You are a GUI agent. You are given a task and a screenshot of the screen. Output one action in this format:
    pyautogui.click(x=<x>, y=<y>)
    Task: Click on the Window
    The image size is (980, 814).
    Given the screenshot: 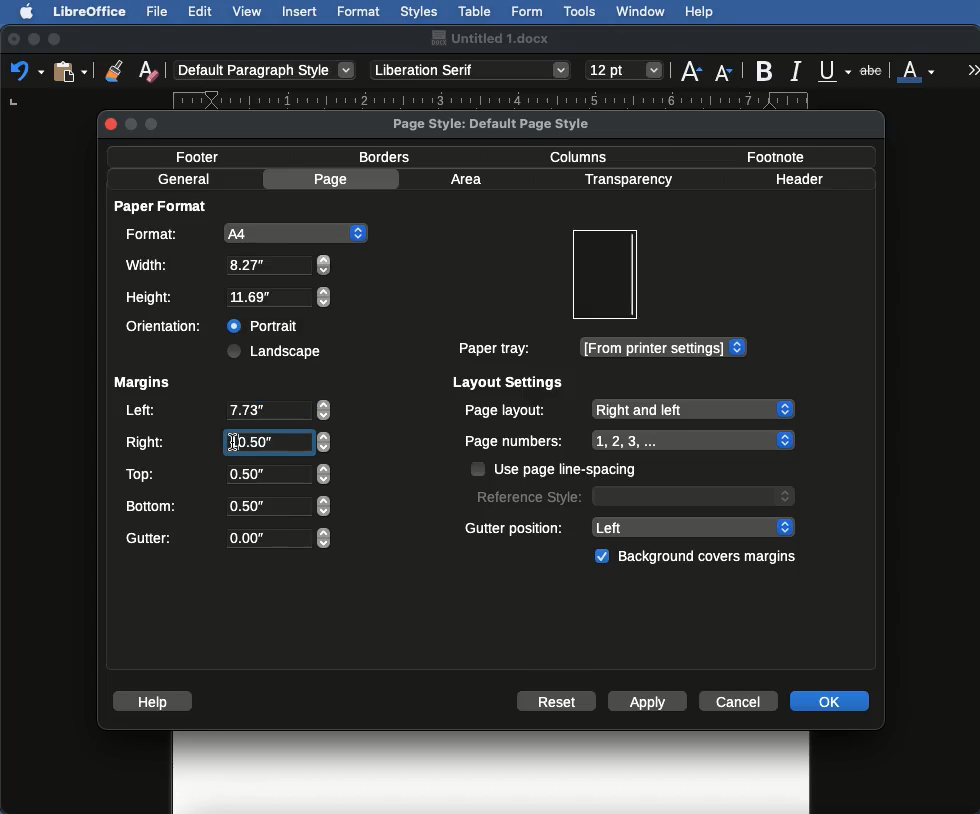 What is the action you would take?
    pyautogui.click(x=641, y=12)
    